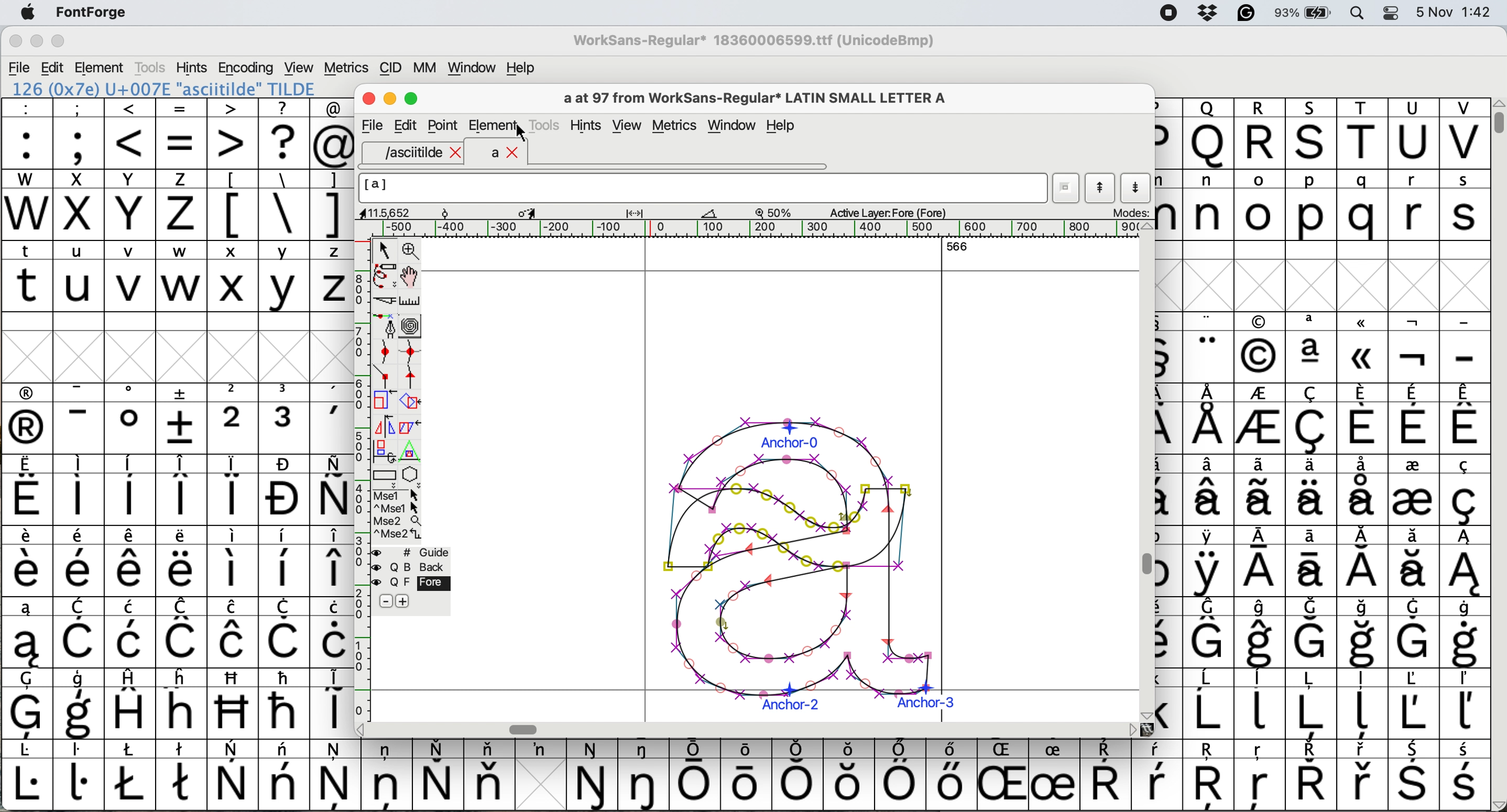 This screenshot has height=812, width=1507. Describe the element at coordinates (505, 153) in the screenshot. I see `a` at that location.